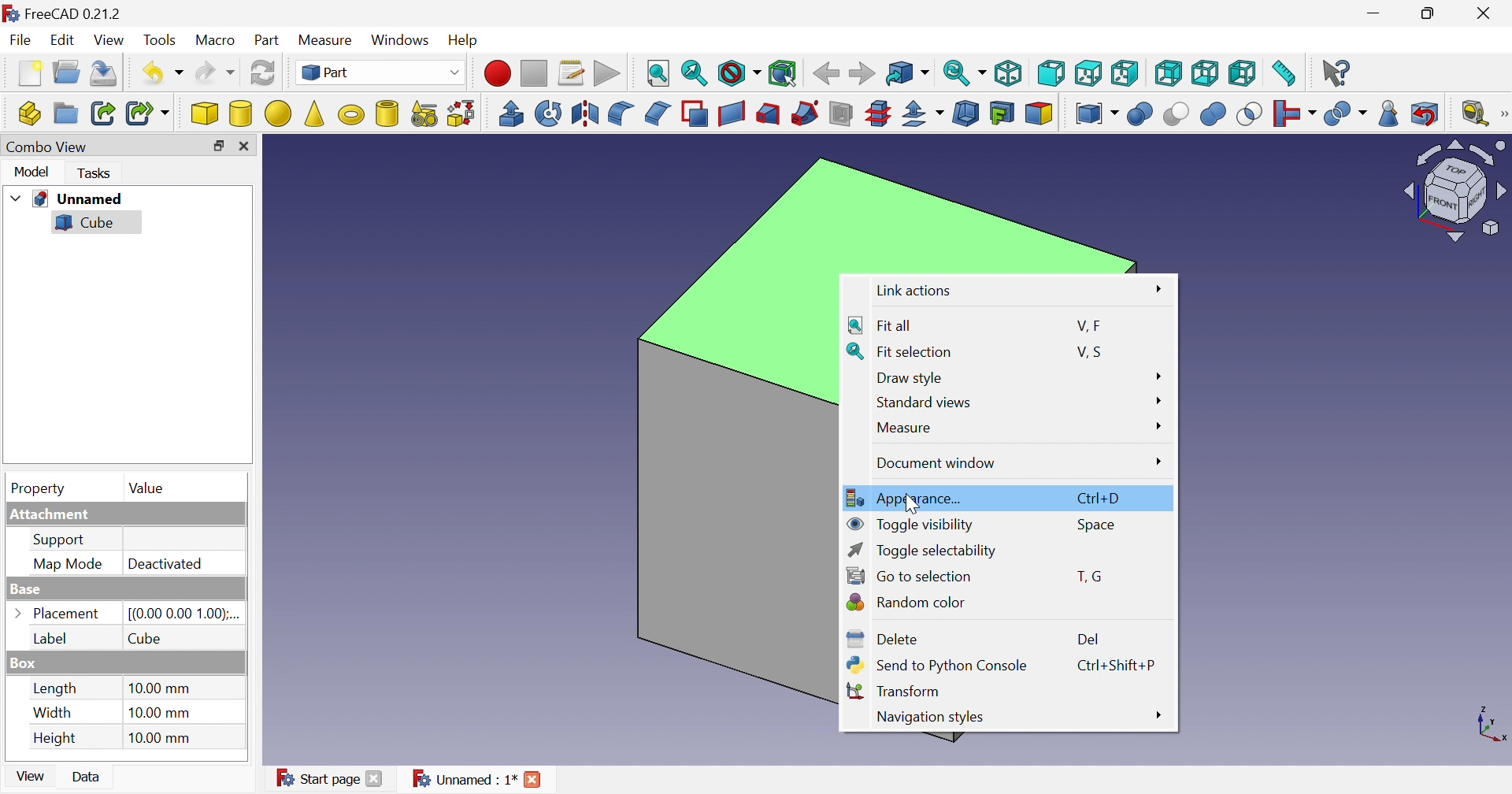 The image size is (1512, 794). Describe the element at coordinates (935, 463) in the screenshot. I see `Document window` at that location.